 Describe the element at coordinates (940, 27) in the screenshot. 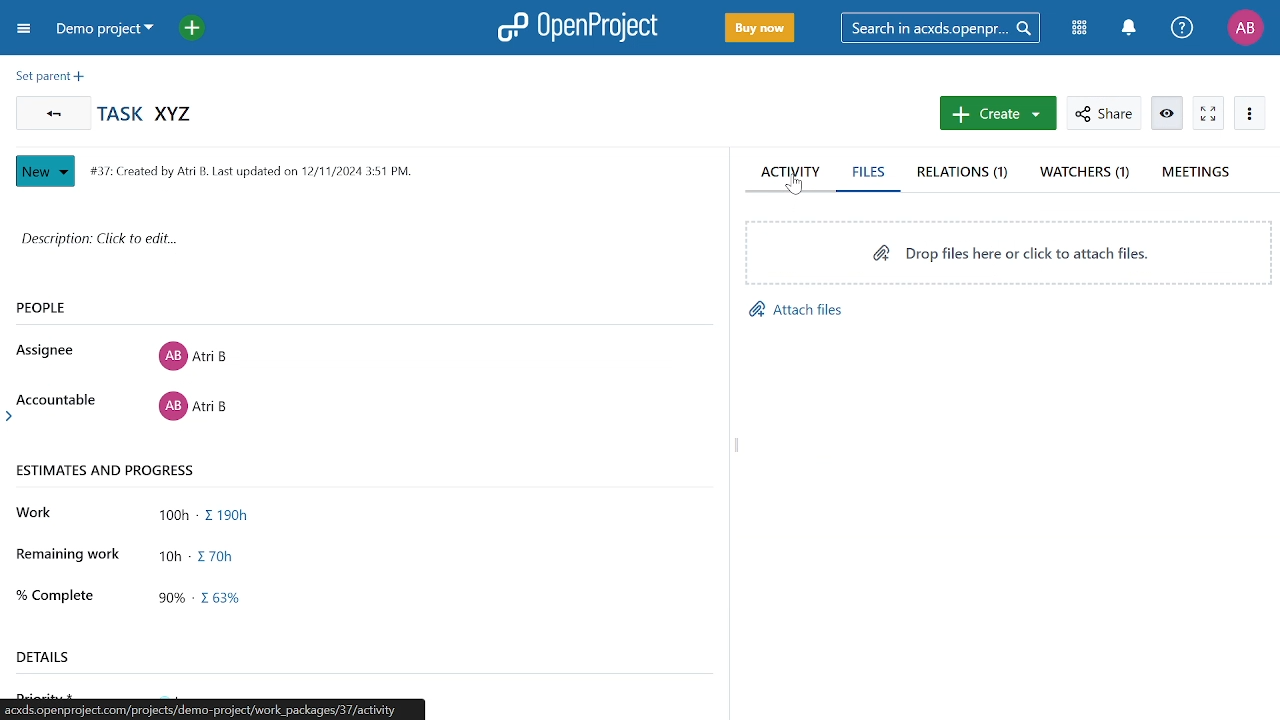

I see `Search` at that location.